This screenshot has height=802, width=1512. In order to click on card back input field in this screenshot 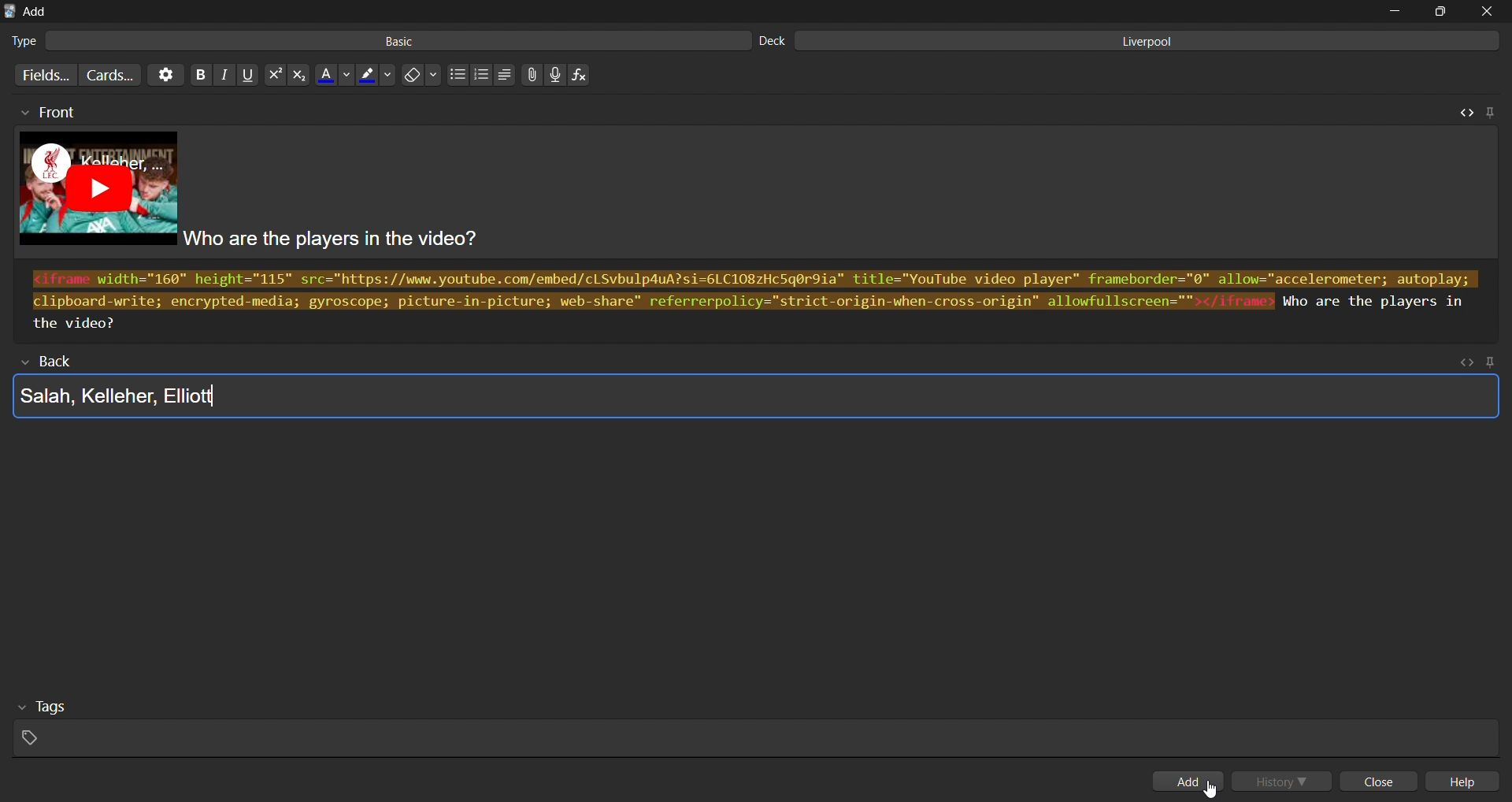, I will do `click(752, 399)`.